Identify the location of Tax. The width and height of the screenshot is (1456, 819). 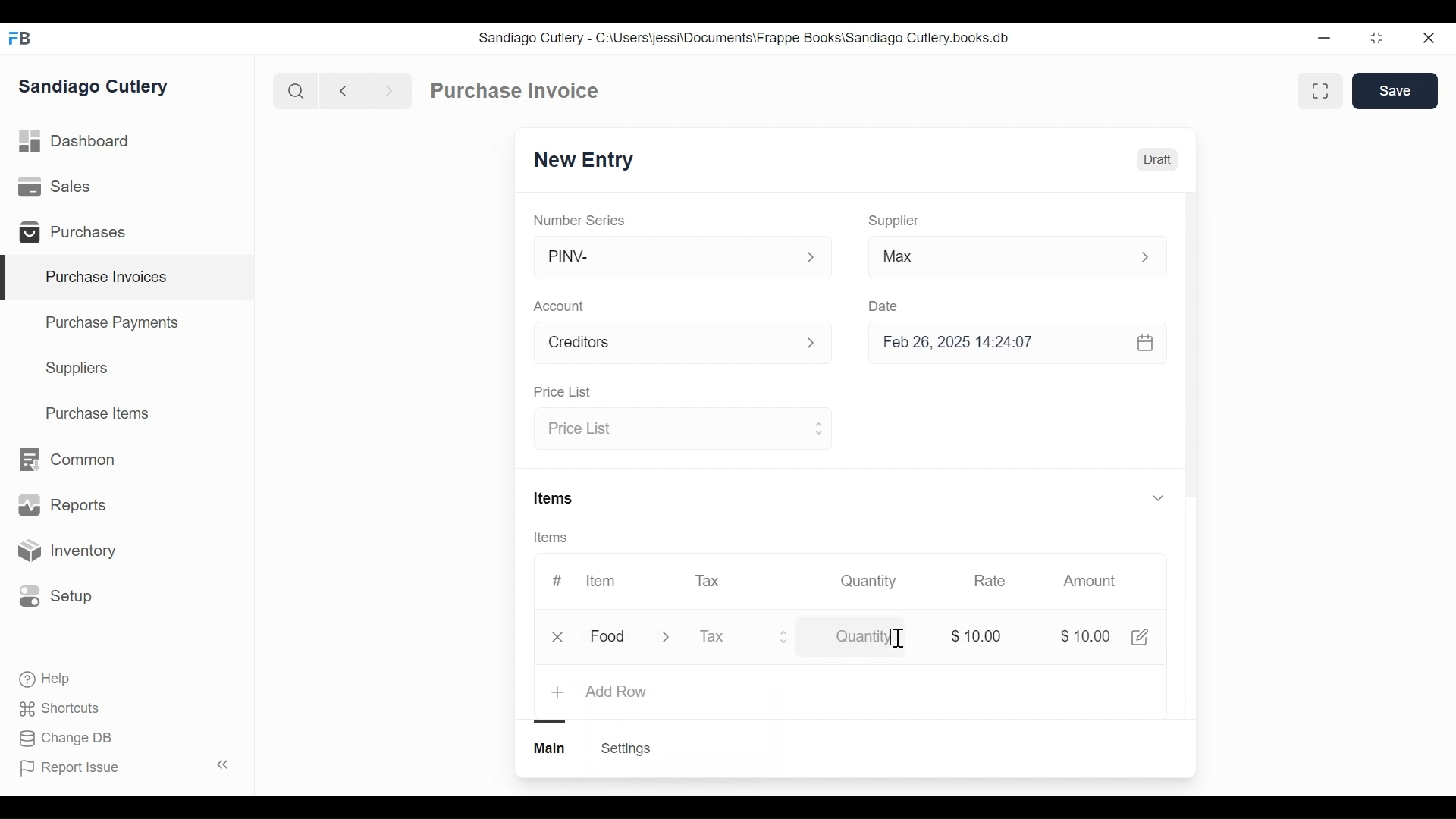
(730, 636).